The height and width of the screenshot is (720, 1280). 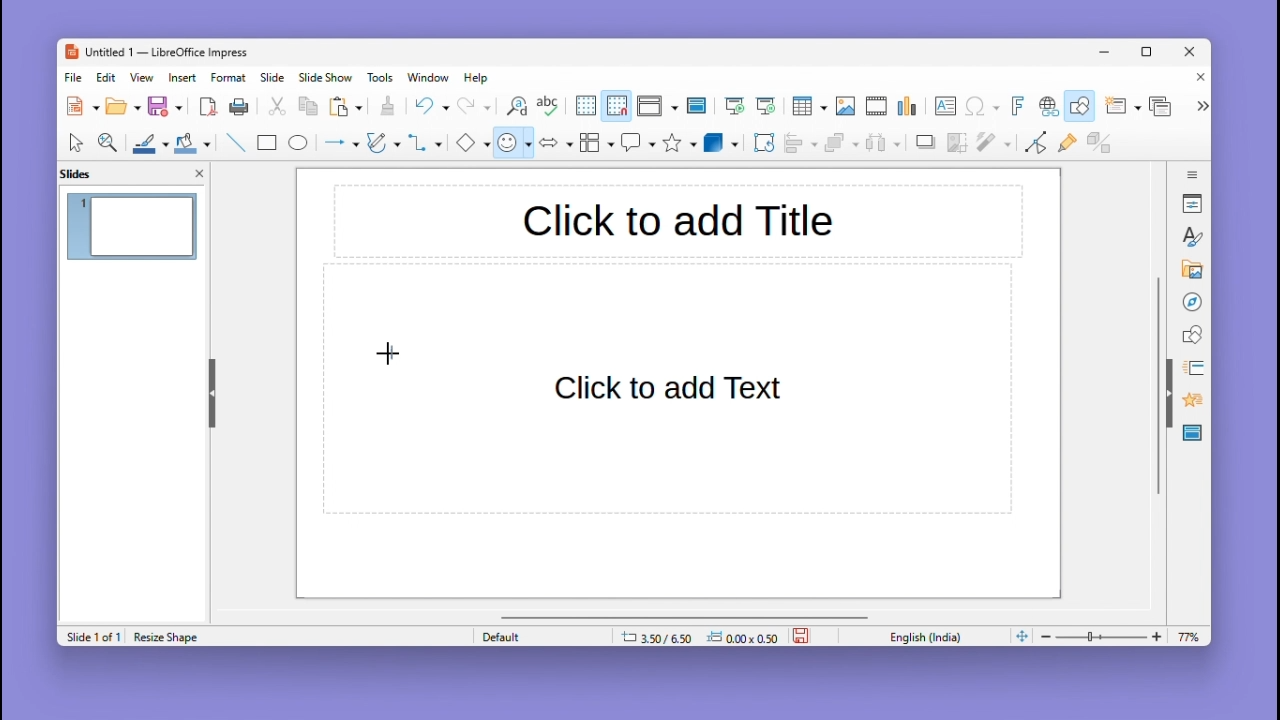 What do you see at coordinates (185, 77) in the screenshot?
I see `Insert` at bounding box center [185, 77].